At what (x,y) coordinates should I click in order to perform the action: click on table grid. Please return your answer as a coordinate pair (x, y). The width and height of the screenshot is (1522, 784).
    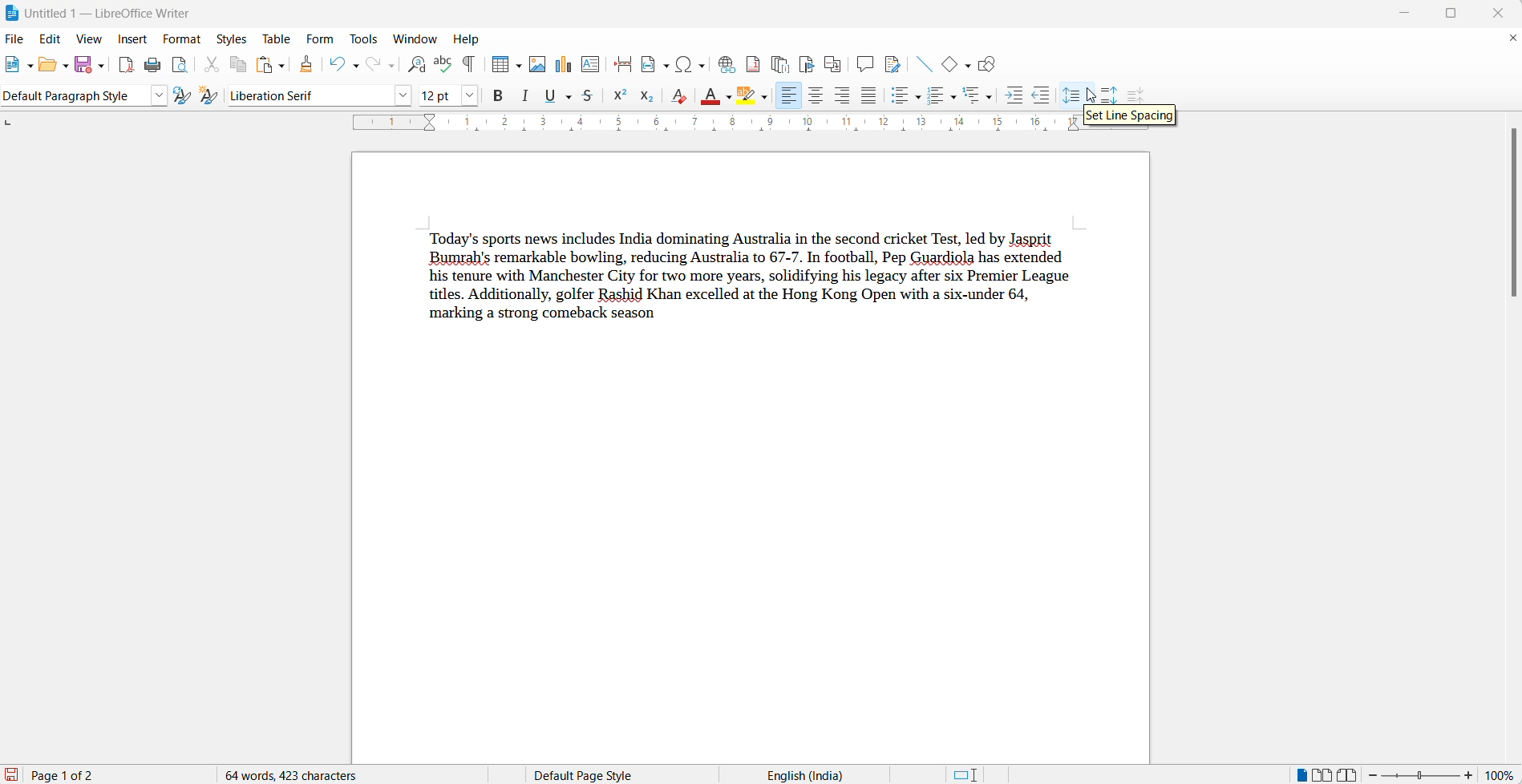
    Looking at the image, I should click on (518, 68).